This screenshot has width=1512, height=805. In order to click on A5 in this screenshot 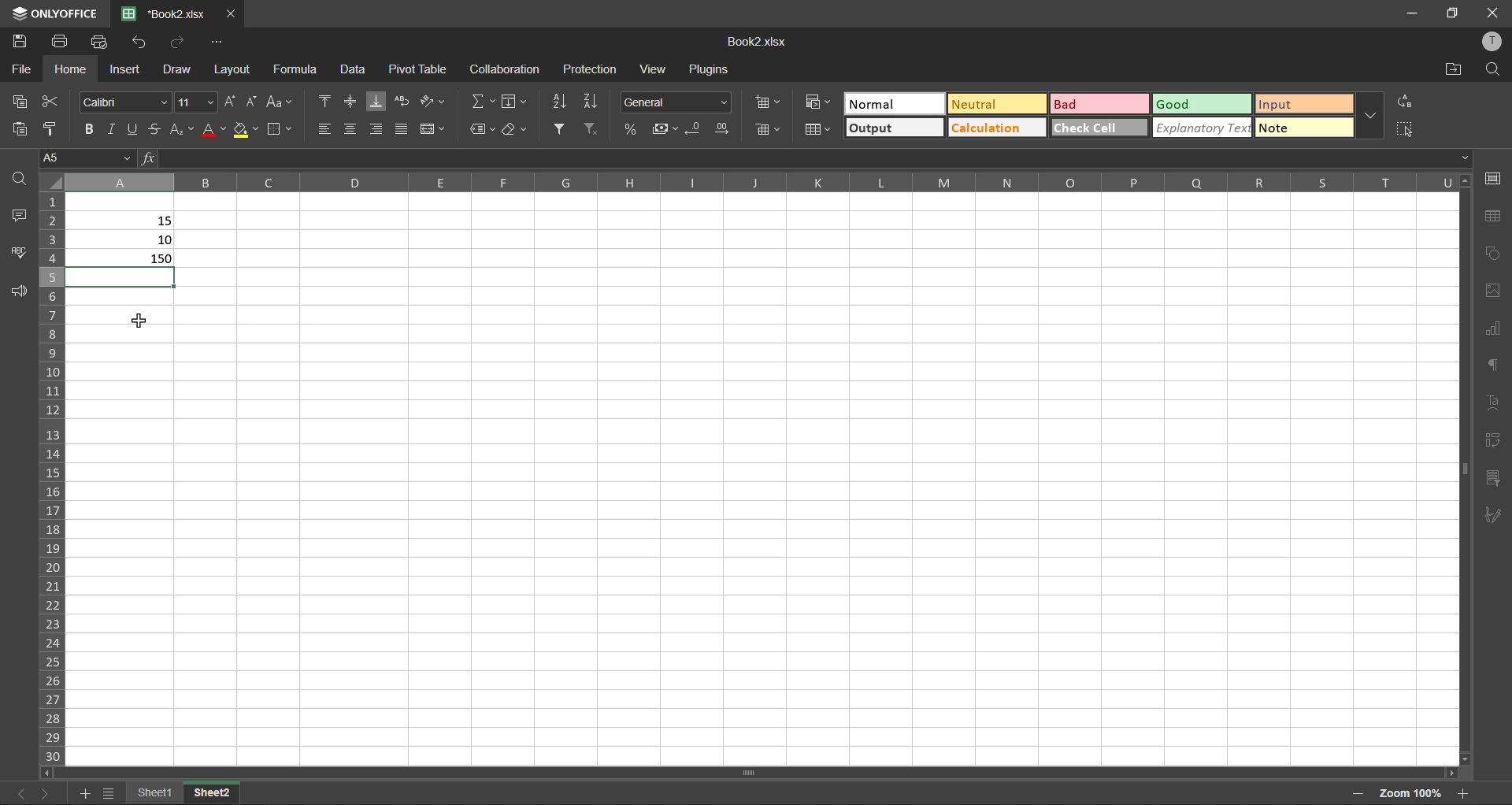, I will do `click(83, 156)`.